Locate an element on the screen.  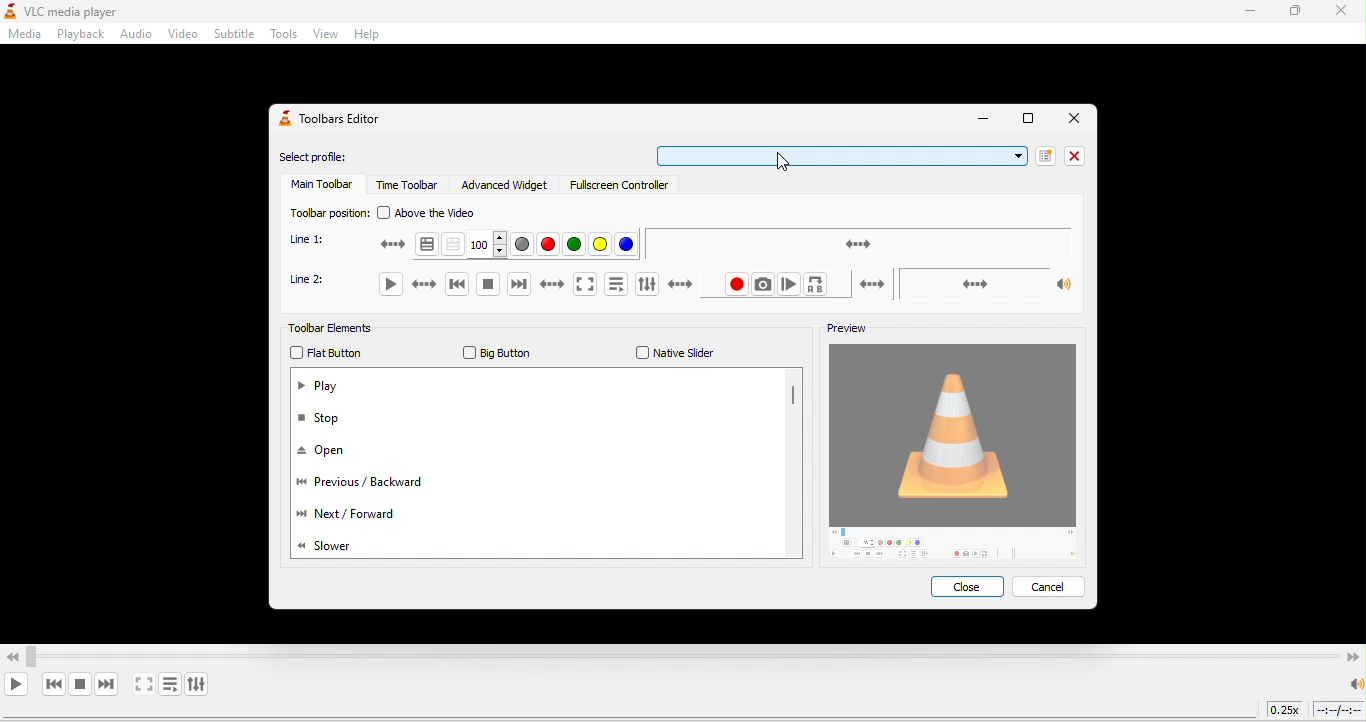
playback speed is located at coordinates (1285, 712).